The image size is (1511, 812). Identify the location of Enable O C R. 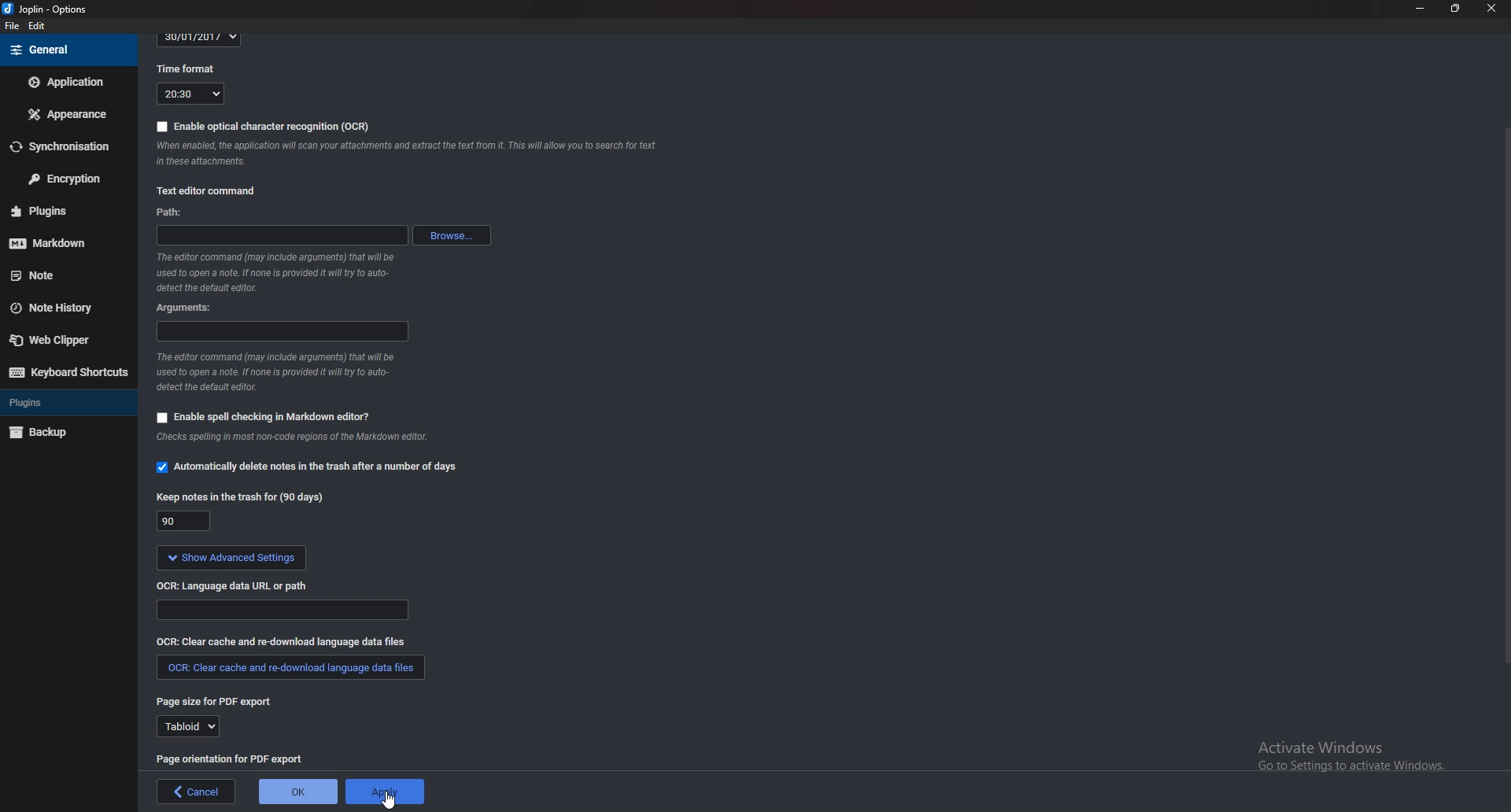
(264, 127).